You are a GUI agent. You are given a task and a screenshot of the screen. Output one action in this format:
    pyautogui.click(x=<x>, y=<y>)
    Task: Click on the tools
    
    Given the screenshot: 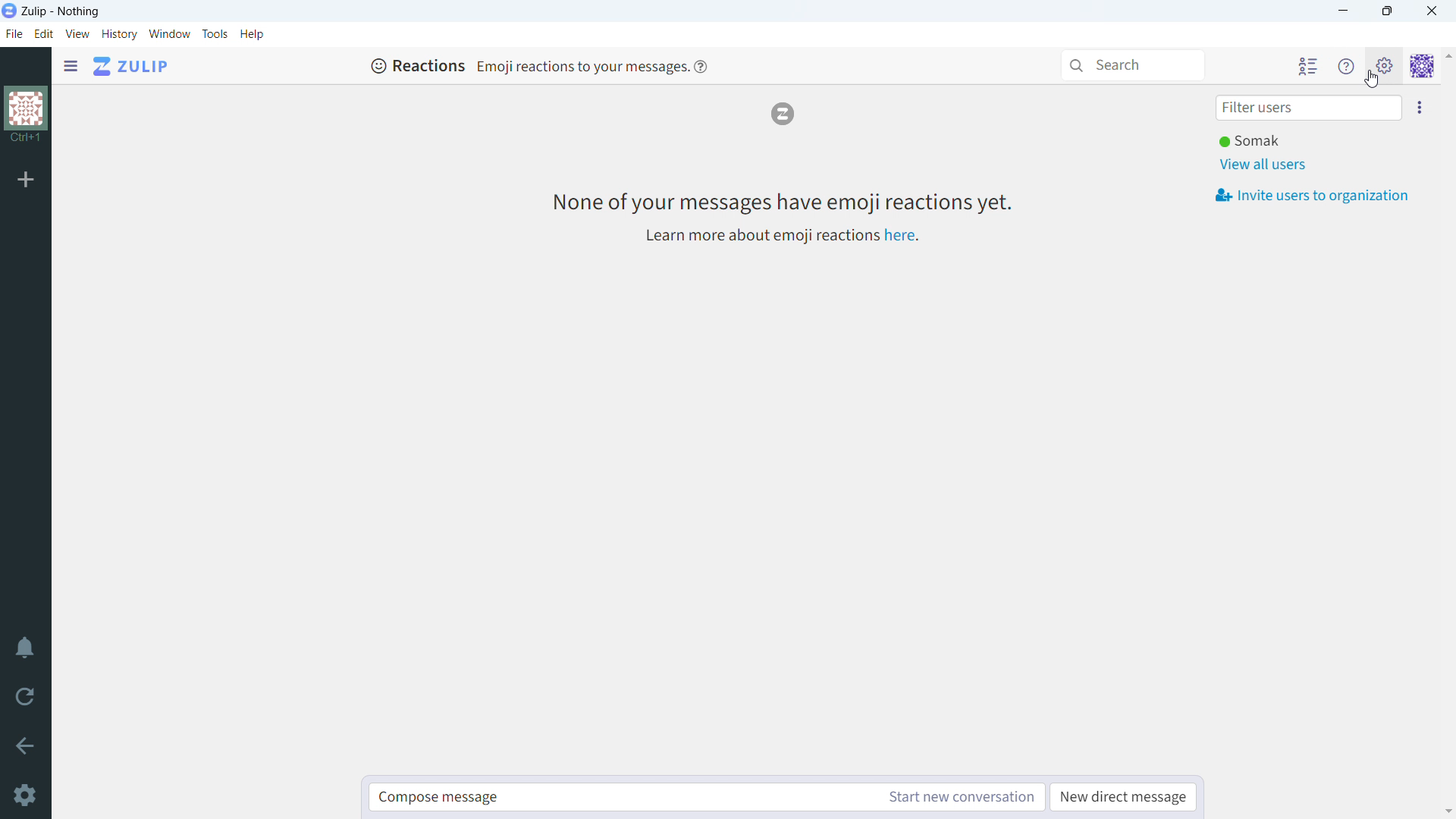 What is the action you would take?
    pyautogui.click(x=215, y=33)
    